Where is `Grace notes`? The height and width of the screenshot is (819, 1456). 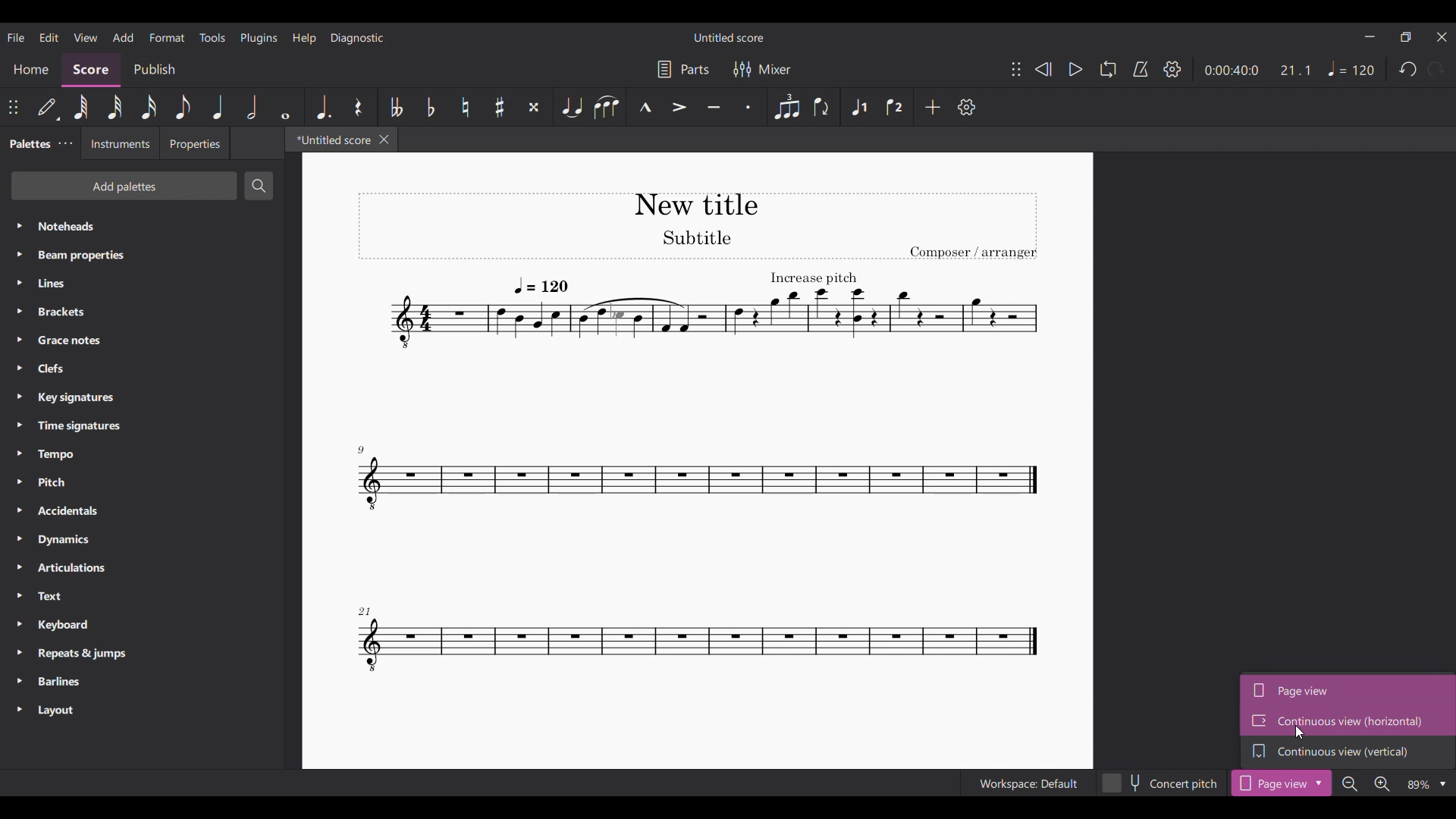
Grace notes is located at coordinates (140, 340).